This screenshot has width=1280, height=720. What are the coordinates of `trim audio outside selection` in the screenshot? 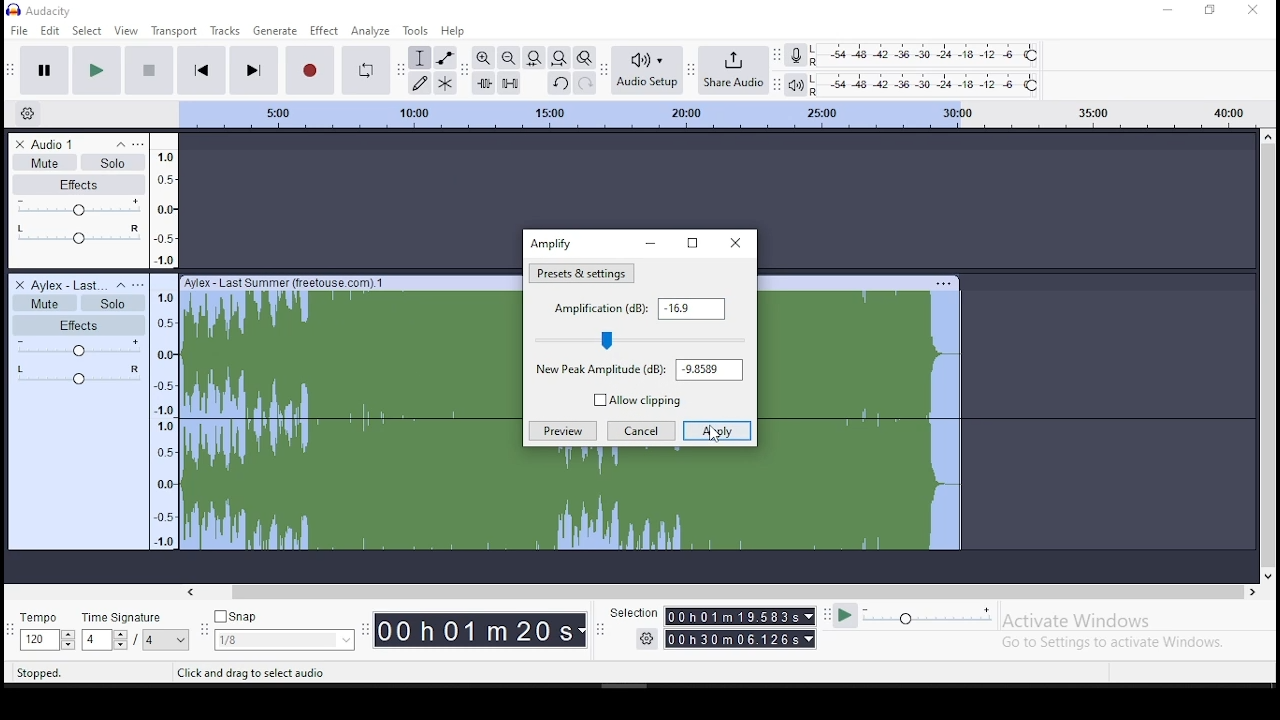 It's located at (484, 83).